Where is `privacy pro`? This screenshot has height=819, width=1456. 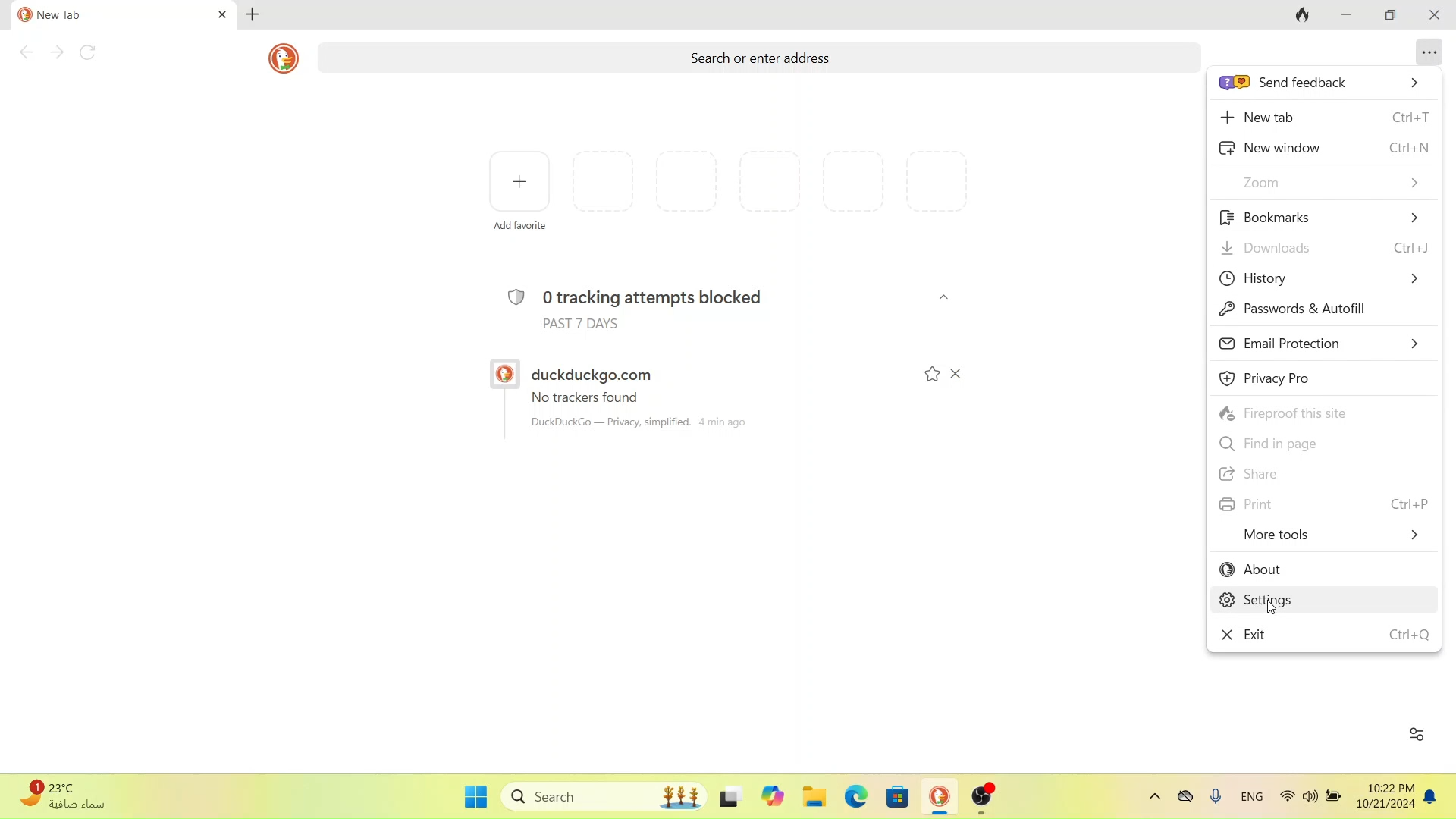 privacy pro is located at coordinates (1316, 379).